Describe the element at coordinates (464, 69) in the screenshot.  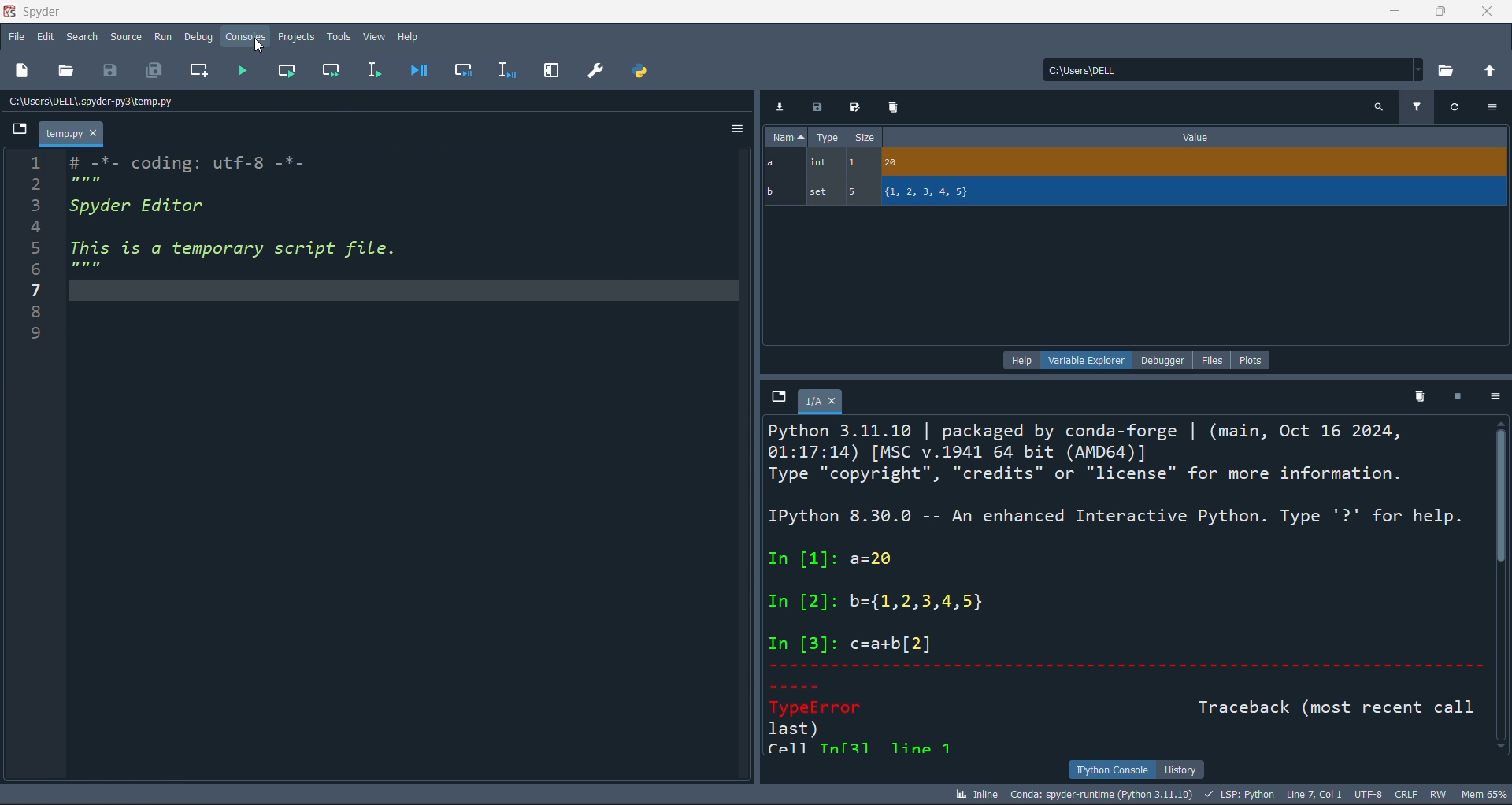
I see `debug cell` at that location.